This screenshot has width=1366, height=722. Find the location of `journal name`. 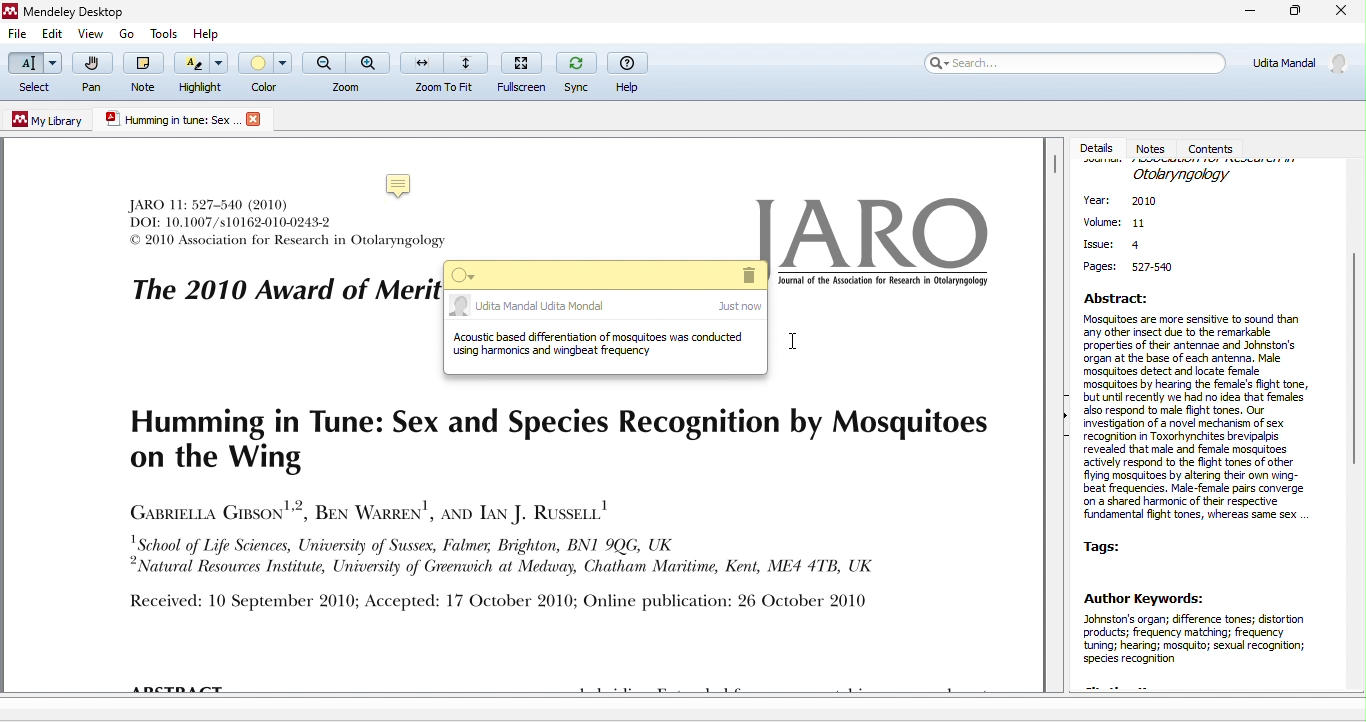

journal name is located at coordinates (1182, 175).